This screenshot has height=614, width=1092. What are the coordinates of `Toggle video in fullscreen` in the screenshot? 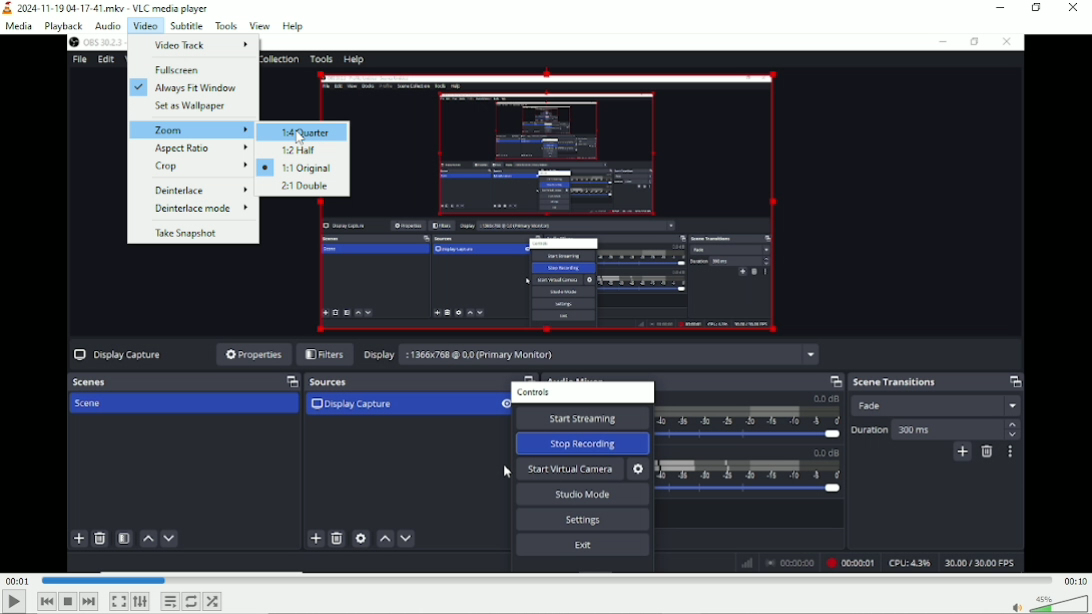 It's located at (118, 601).